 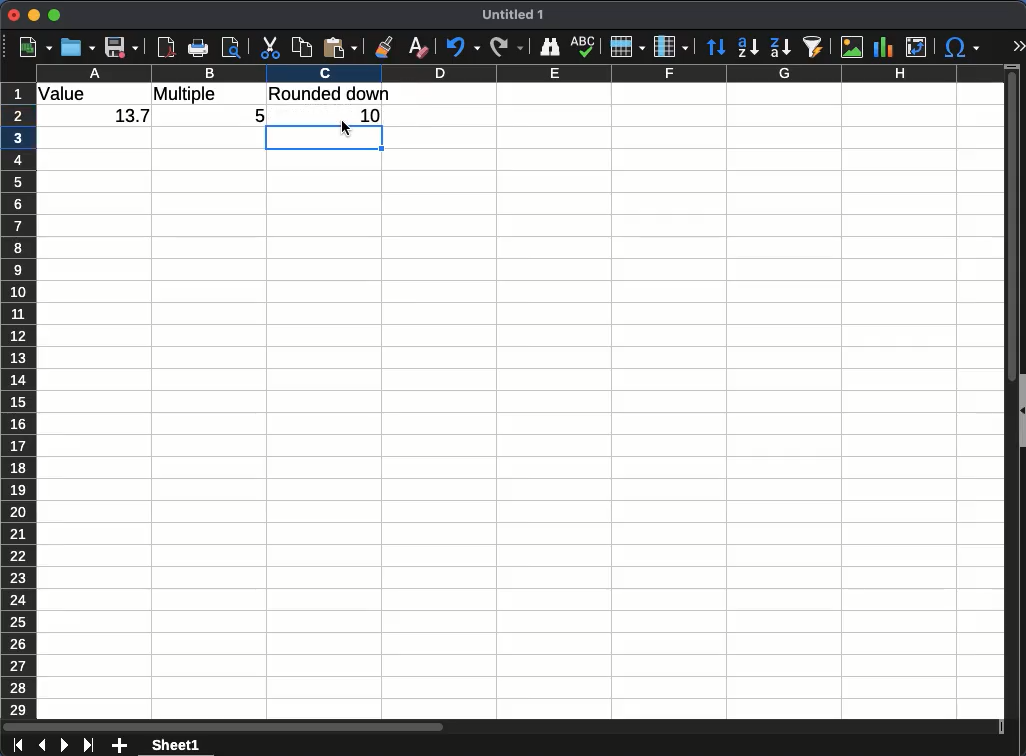 I want to click on selected cell, so click(x=326, y=139).